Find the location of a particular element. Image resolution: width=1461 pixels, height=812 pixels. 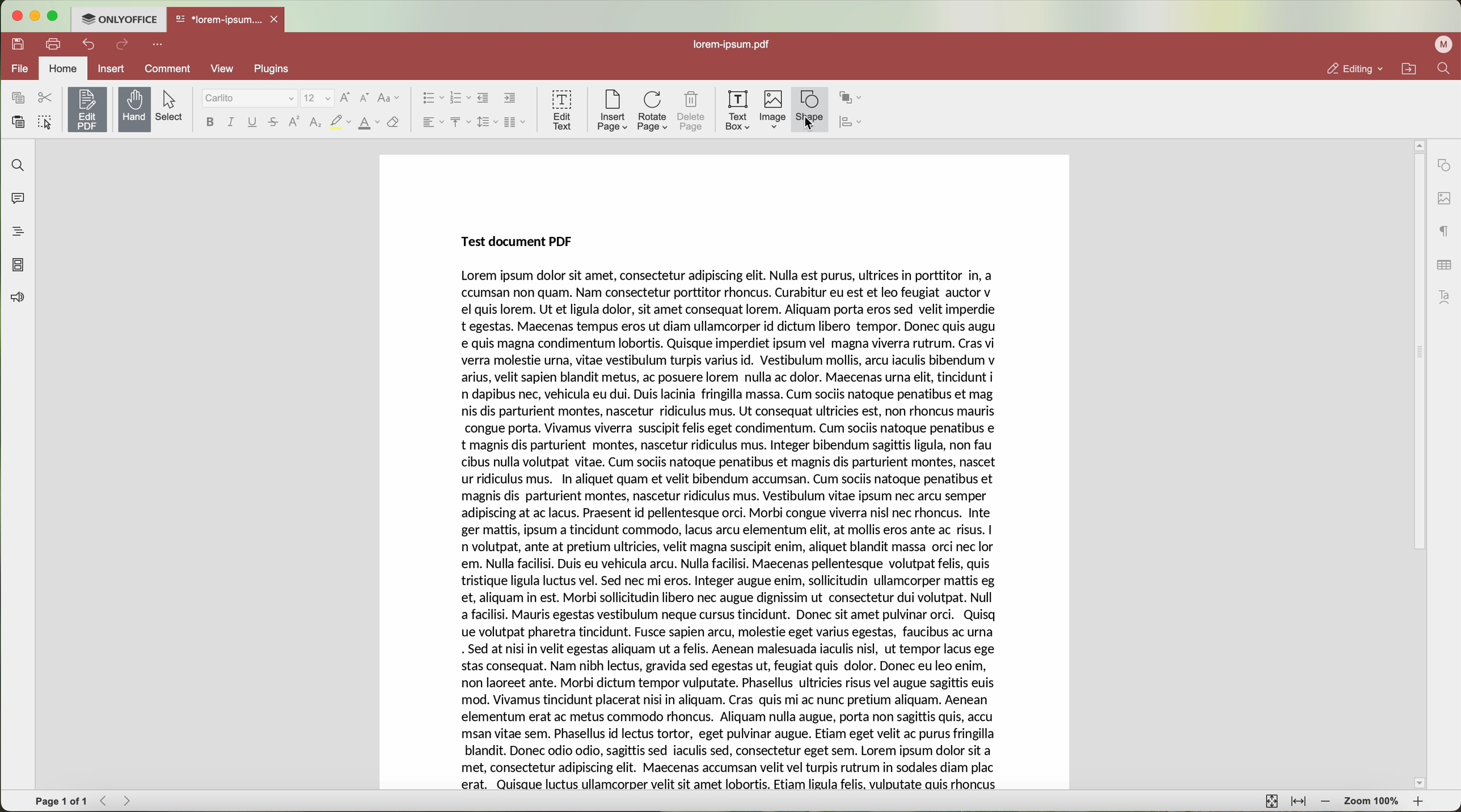

page 1 of 1 is located at coordinates (62, 802).